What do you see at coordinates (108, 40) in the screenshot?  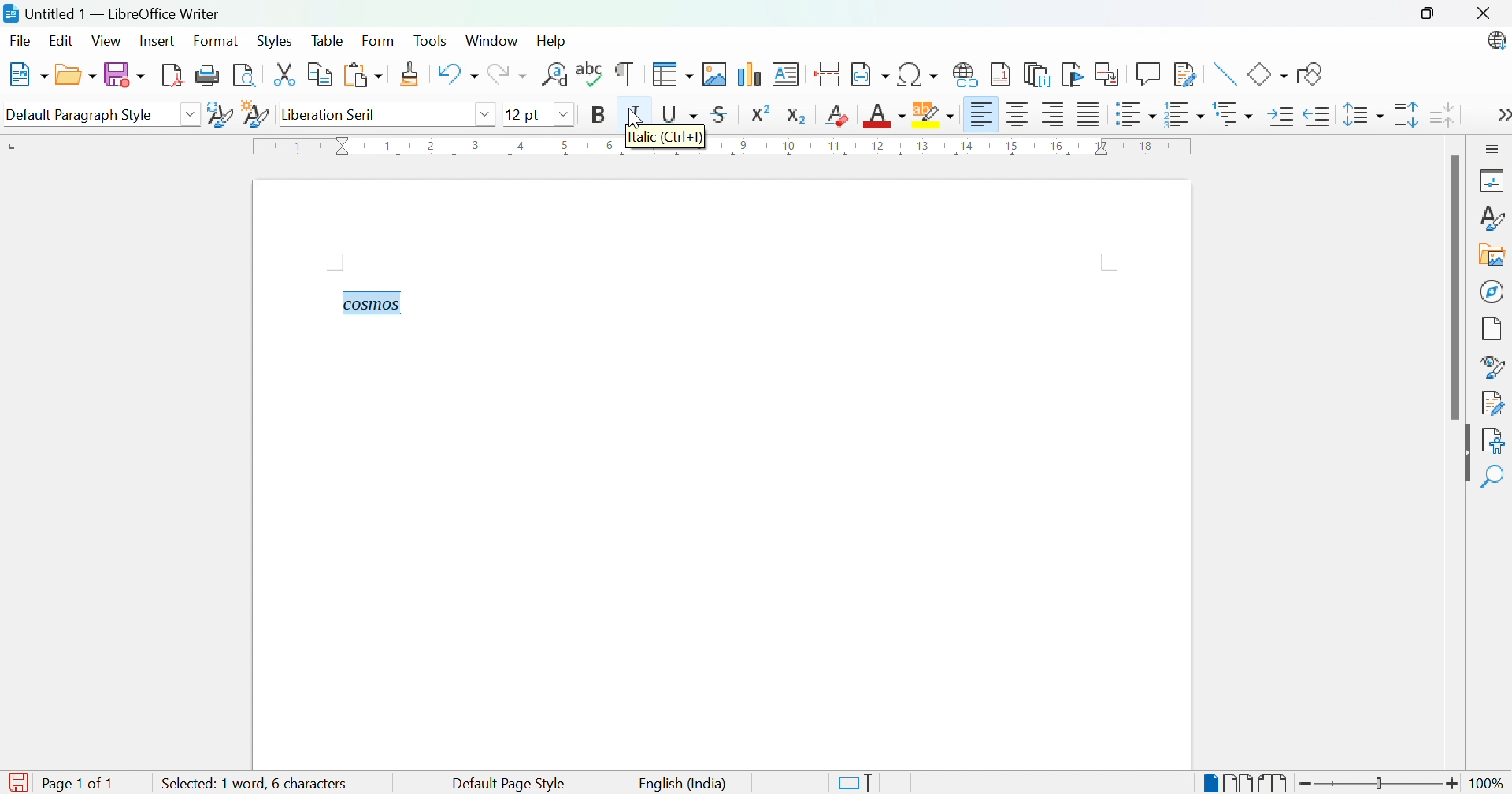 I see `View` at bounding box center [108, 40].